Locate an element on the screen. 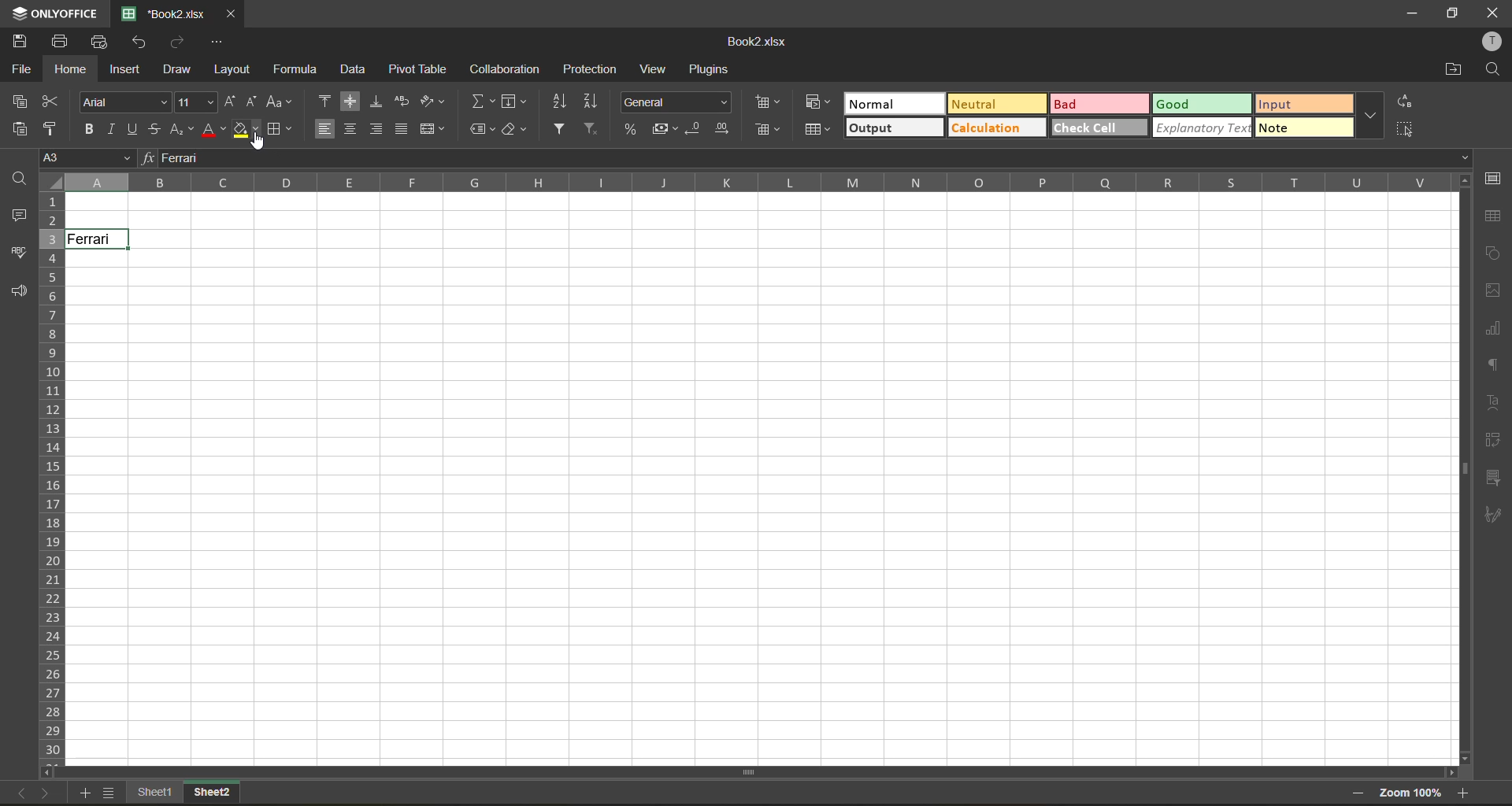  insert is located at coordinates (128, 70).